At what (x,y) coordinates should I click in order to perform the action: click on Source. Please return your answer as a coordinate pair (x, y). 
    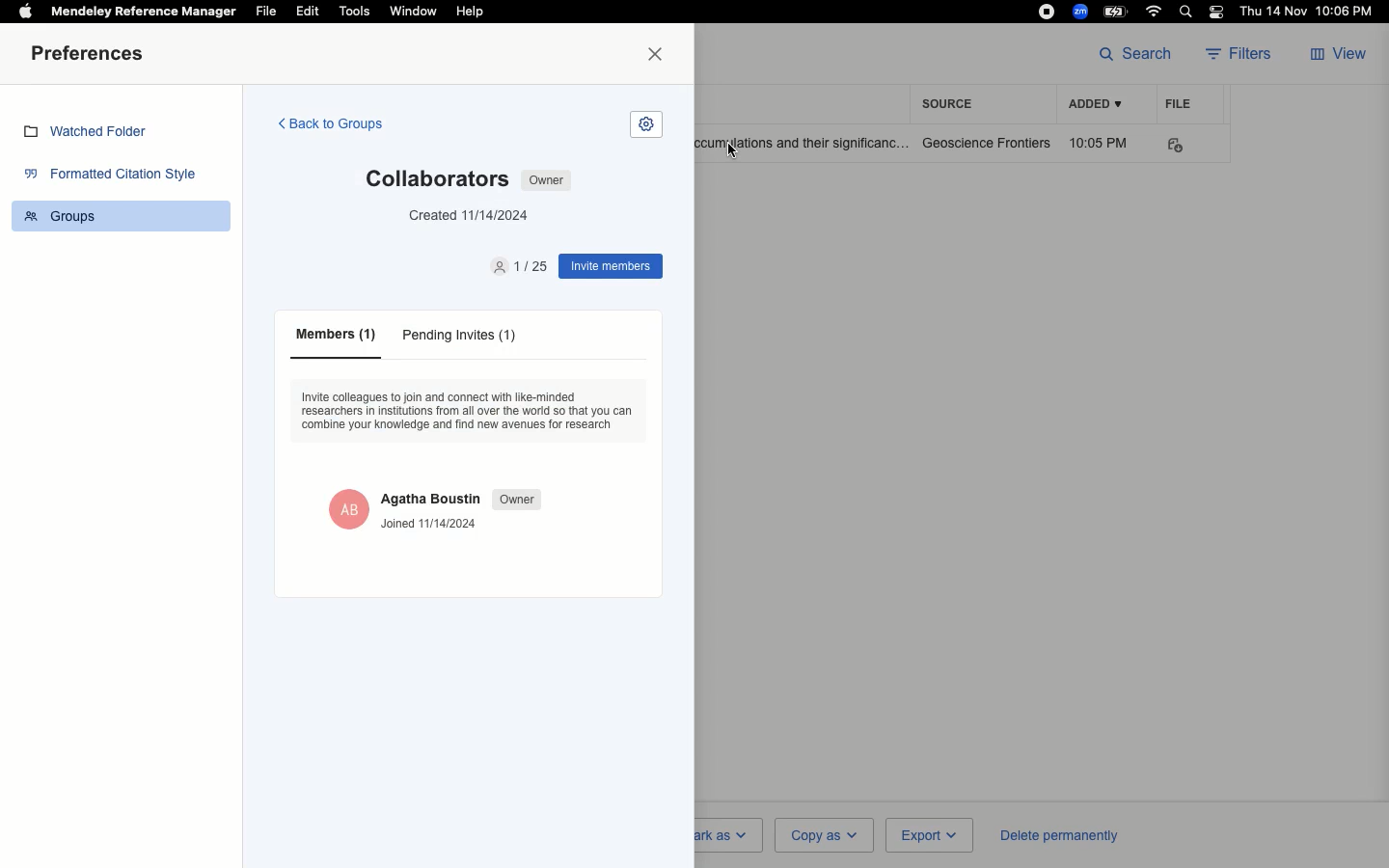
    Looking at the image, I should click on (953, 103).